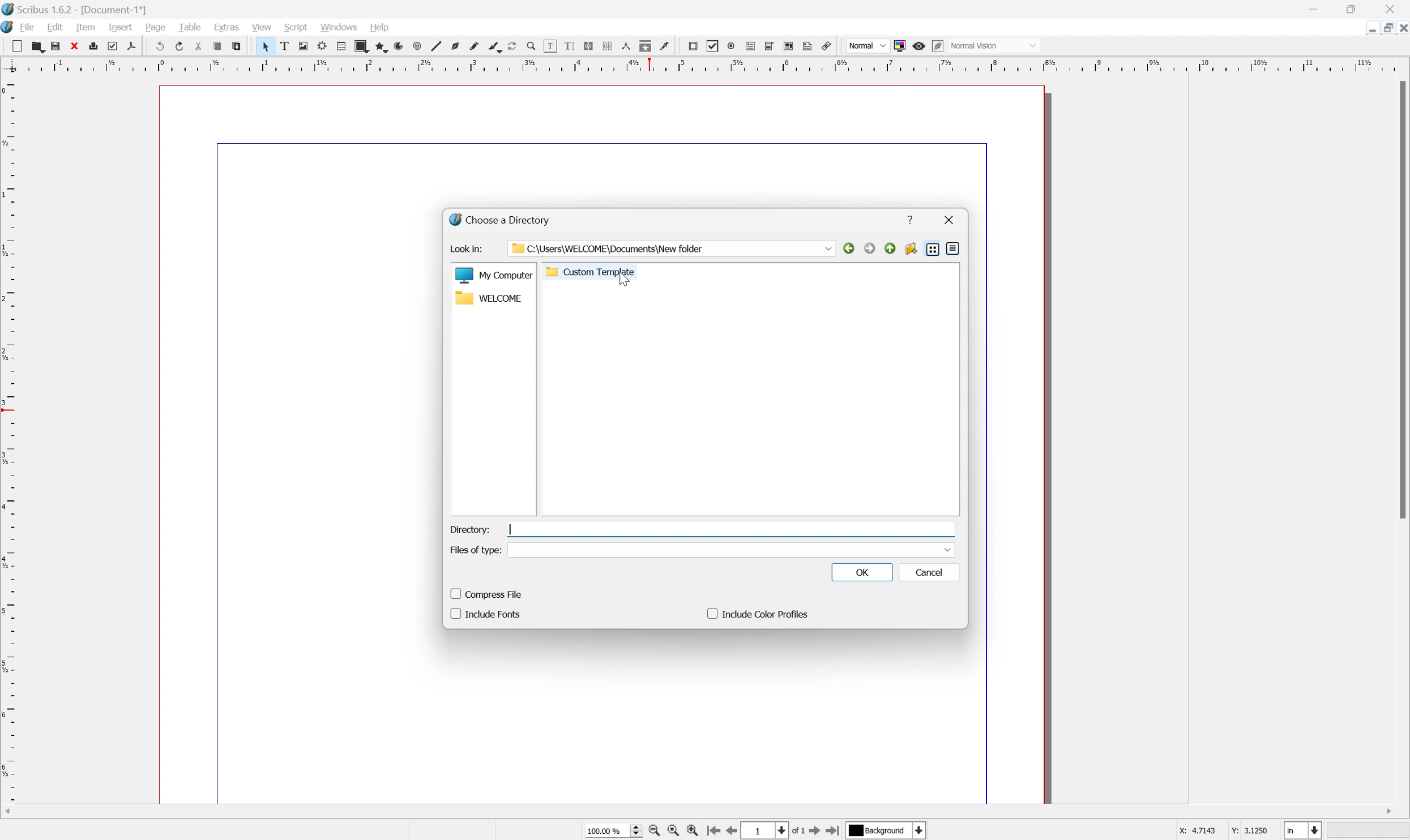 This screenshot has width=1410, height=840. I want to click on My computer, so click(493, 277).